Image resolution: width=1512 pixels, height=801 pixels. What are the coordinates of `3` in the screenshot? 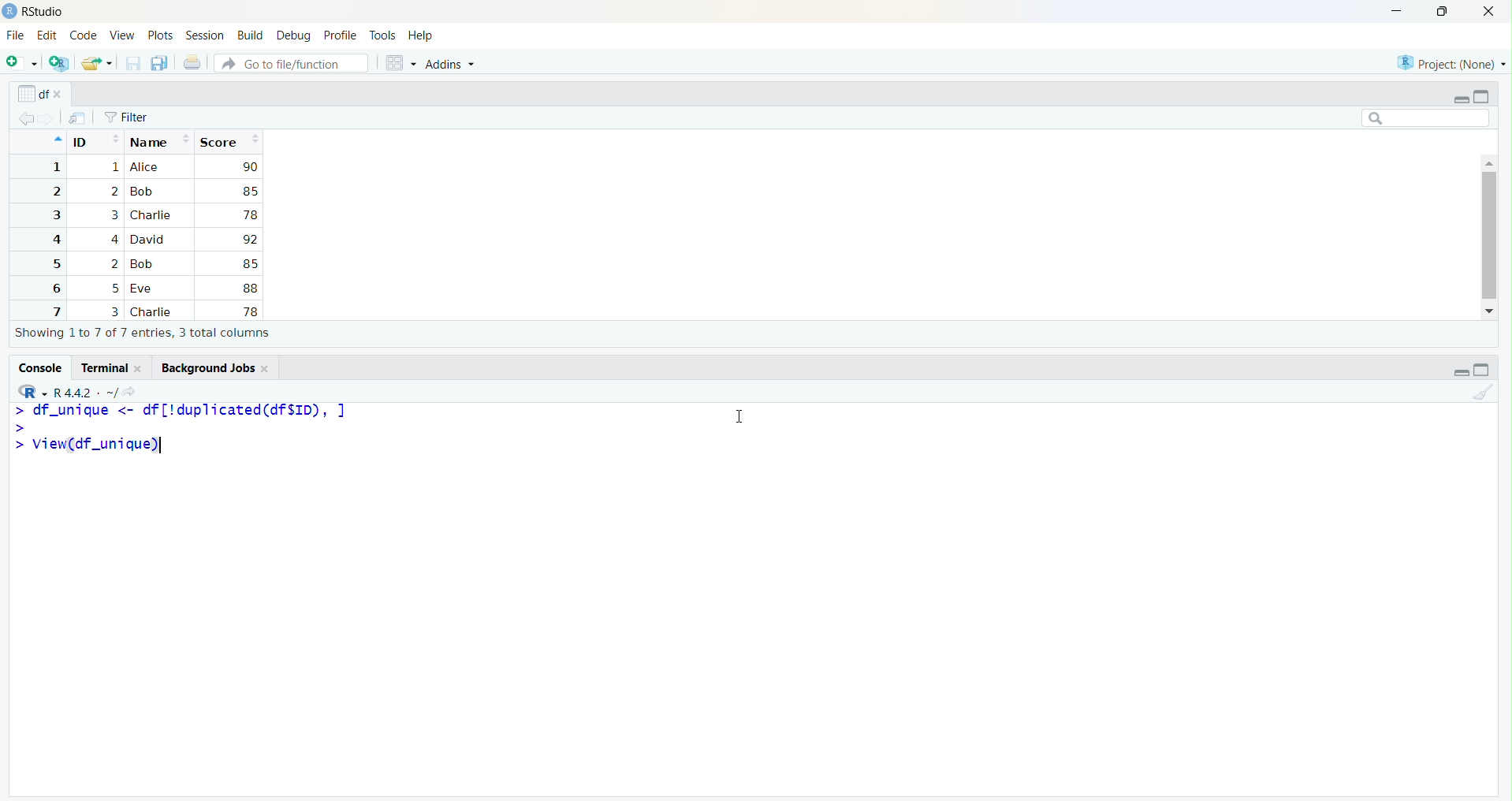 It's located at (112, 215).